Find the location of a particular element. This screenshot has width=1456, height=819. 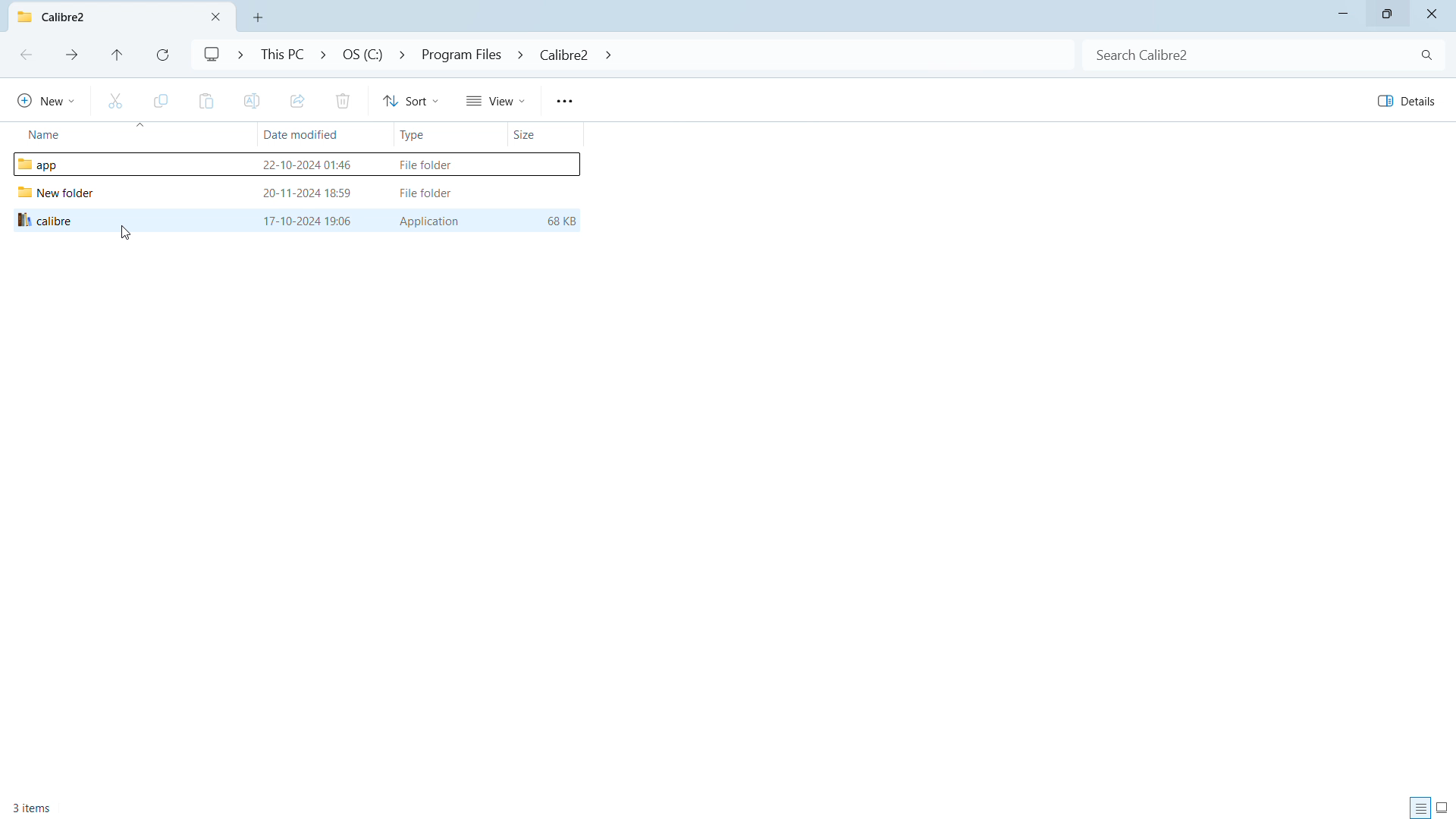

next folder is located at coordinates (73, 55).